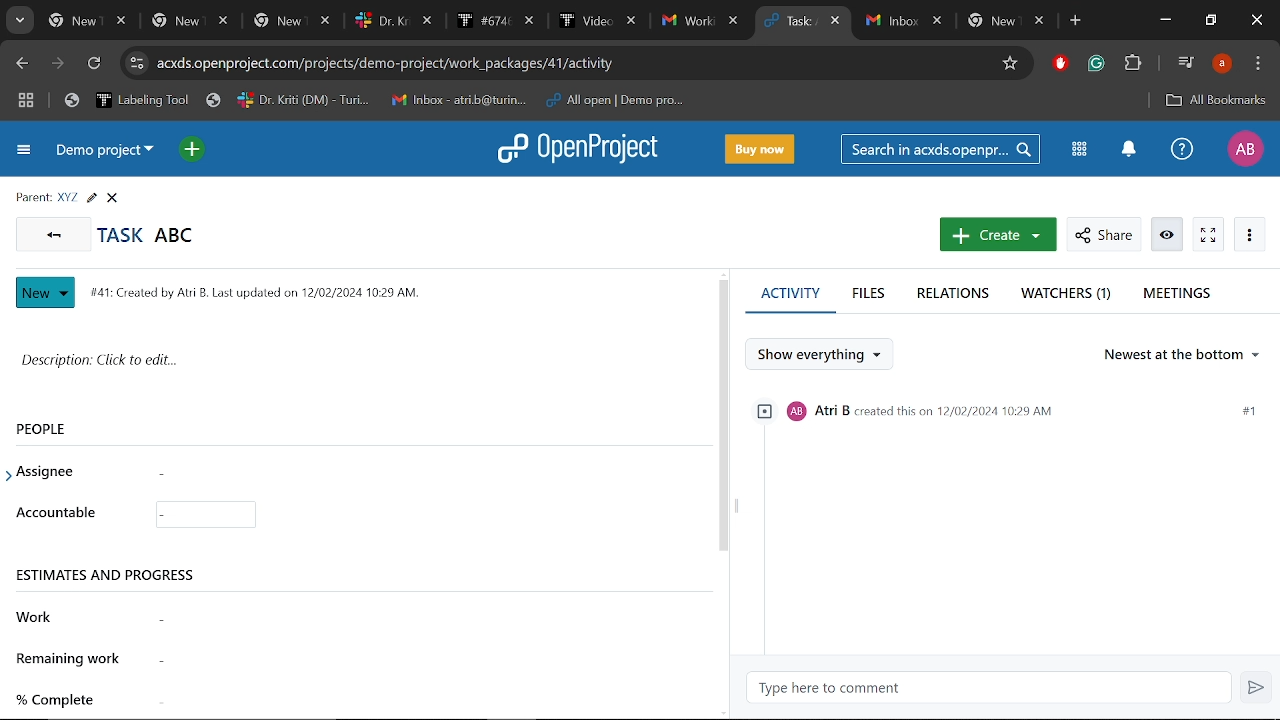  I want to click on Help, so click(1182, 150).